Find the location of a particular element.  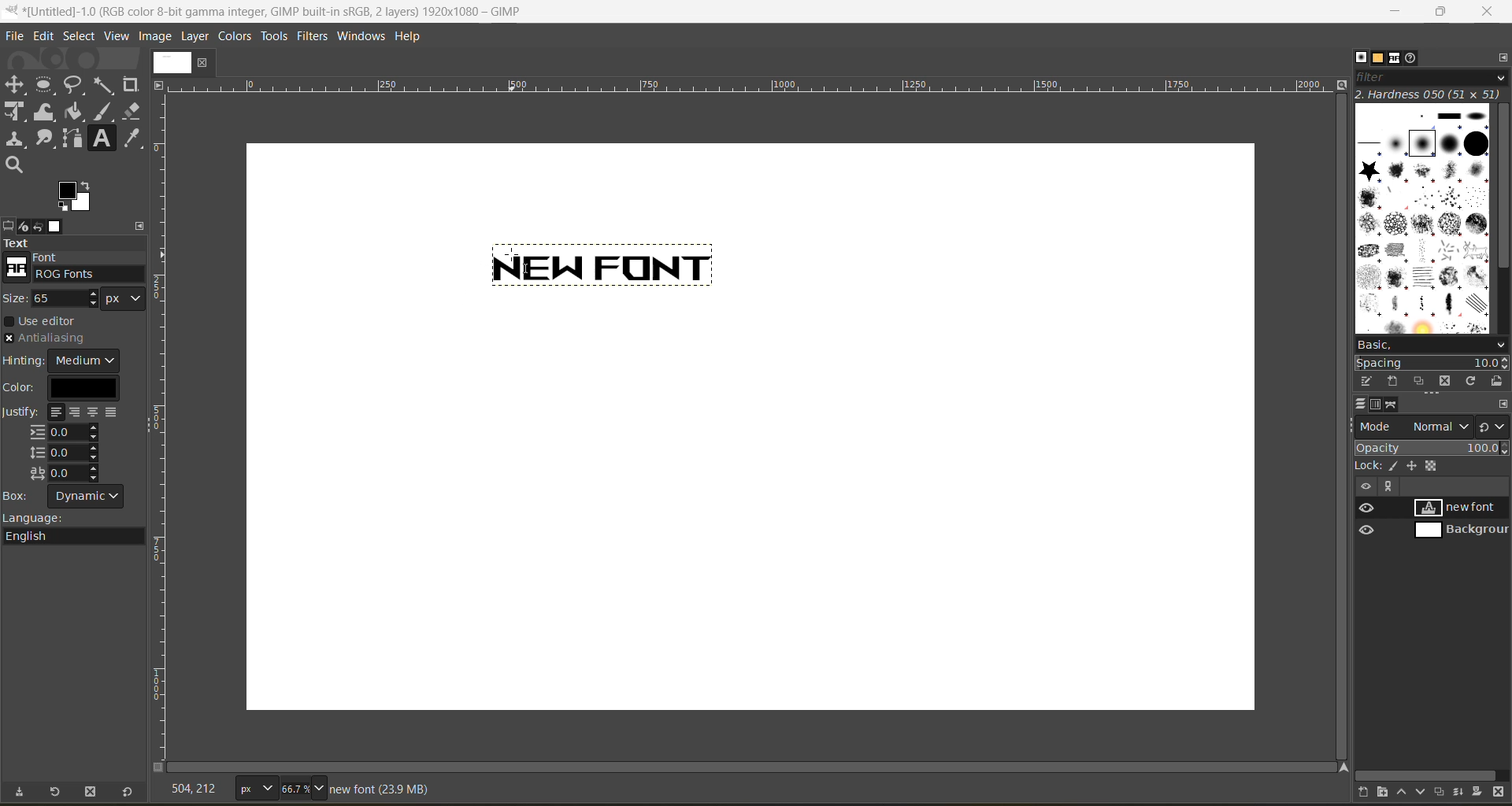

switch to another group of modes is located at coordinates (1495, 427).